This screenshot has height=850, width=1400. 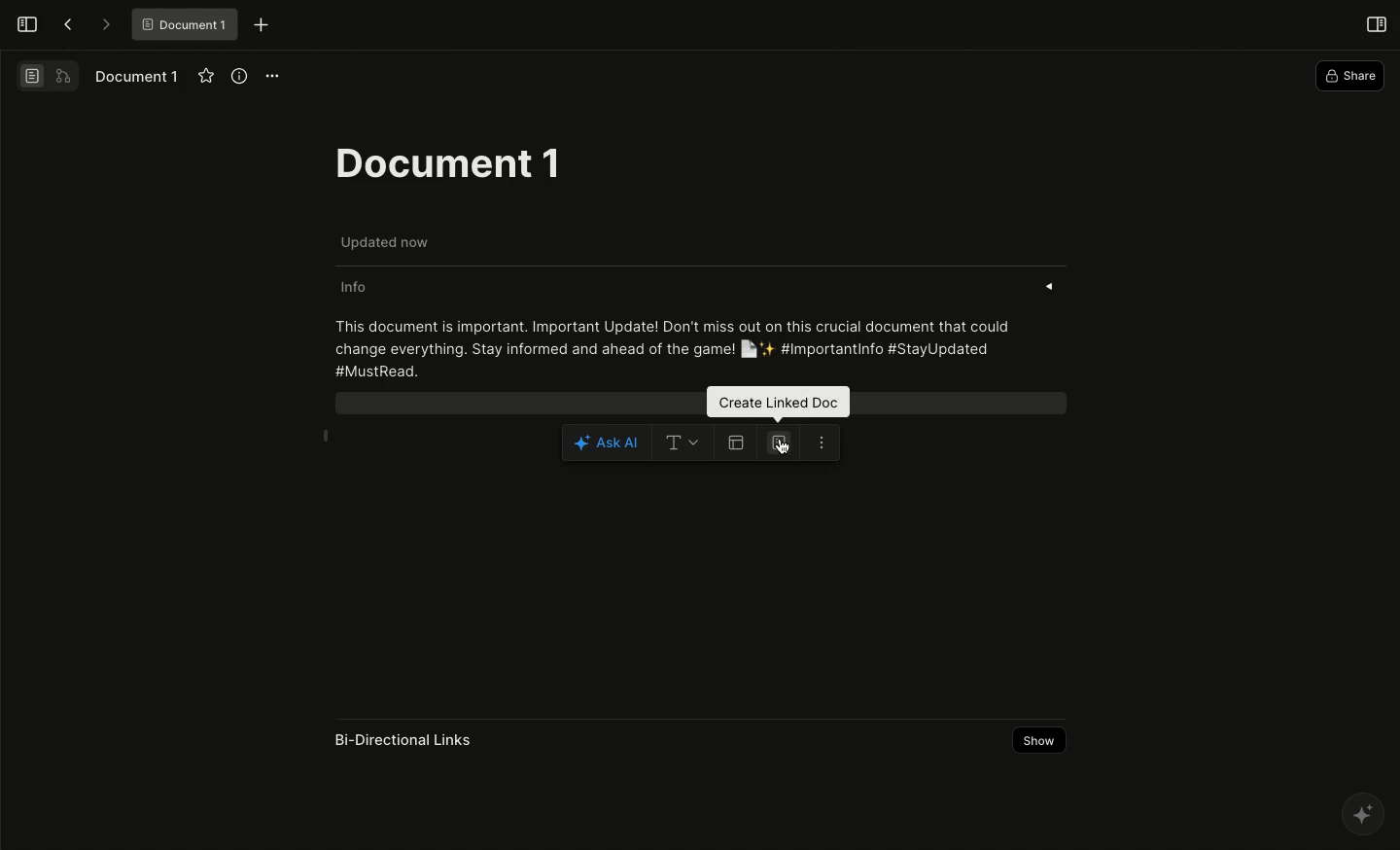 What do you see at coordinates (262, 26) in the screenshot?
I see `New tab` at bounding box center [262, 26].